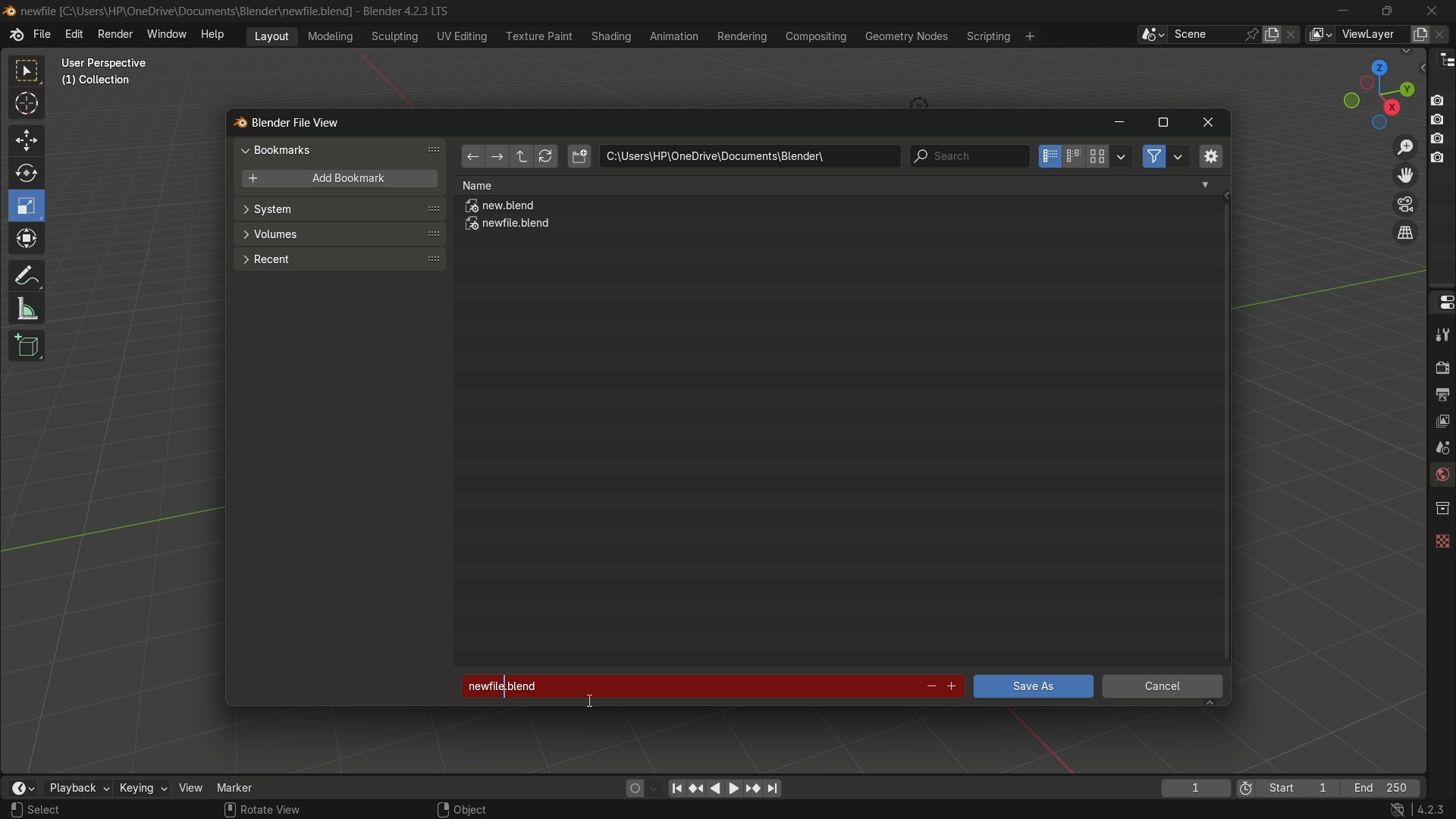  Describe the element at coordinates (1194, 788) in the screenshot. I see `current frame` at that location.